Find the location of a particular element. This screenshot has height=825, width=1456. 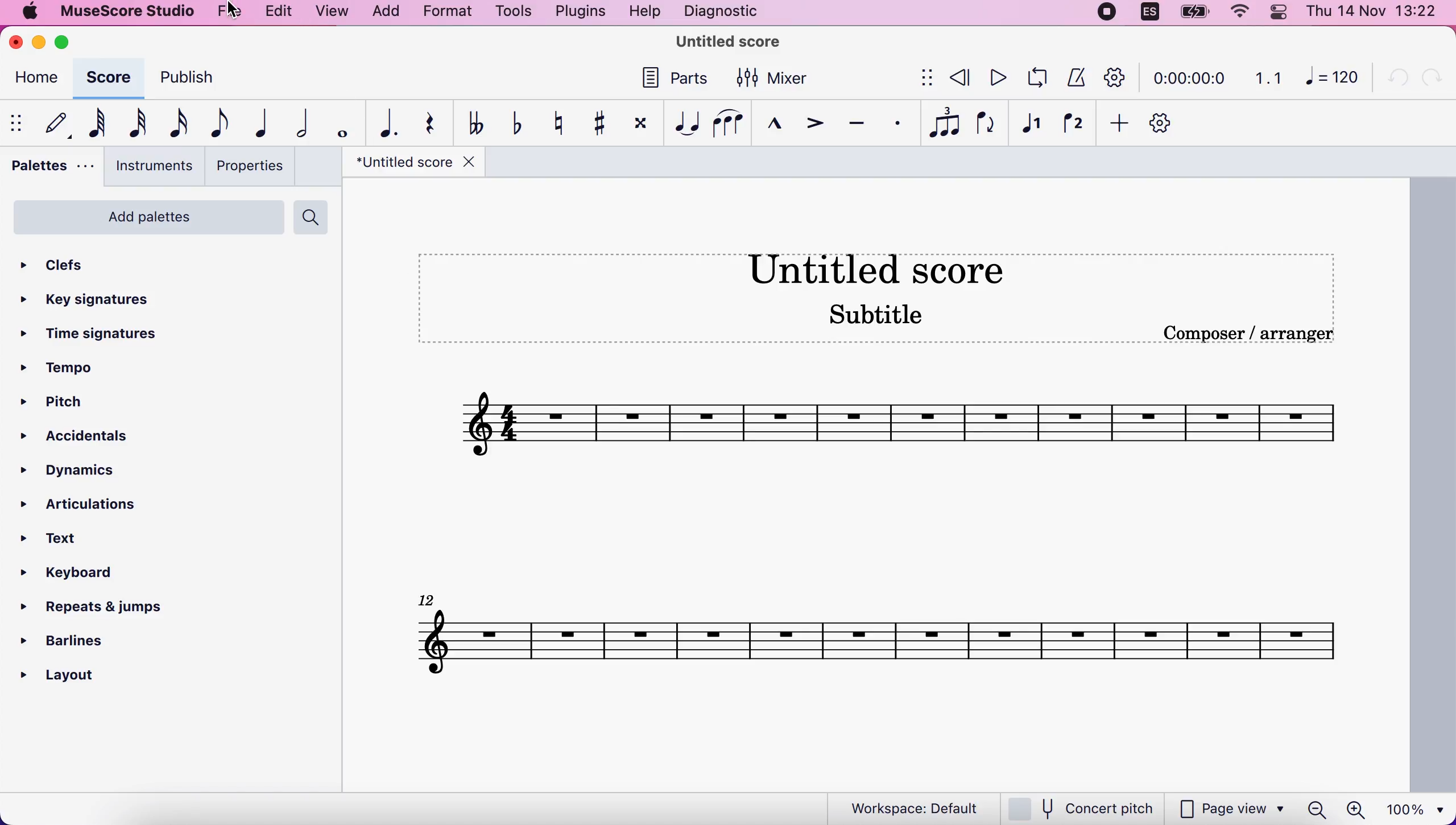

marcato is located at coordinates (772, 127).